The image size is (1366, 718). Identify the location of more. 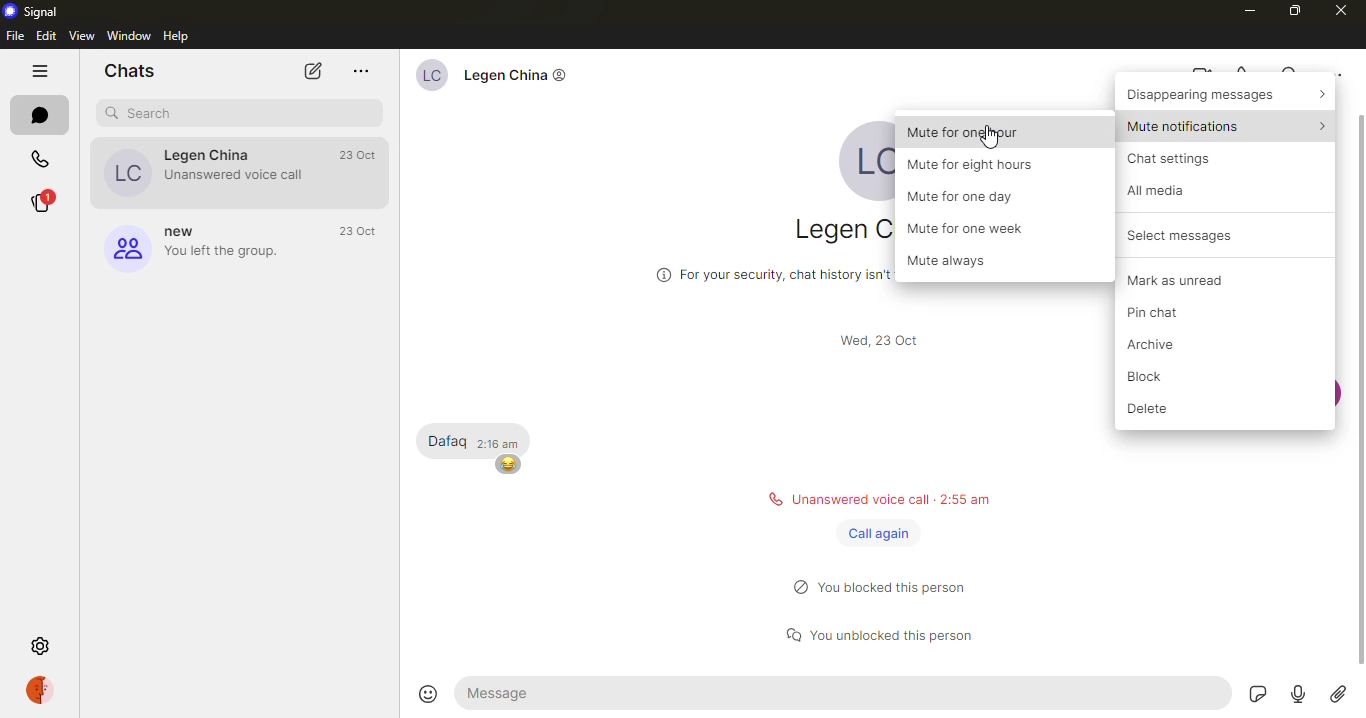
(361, 69).